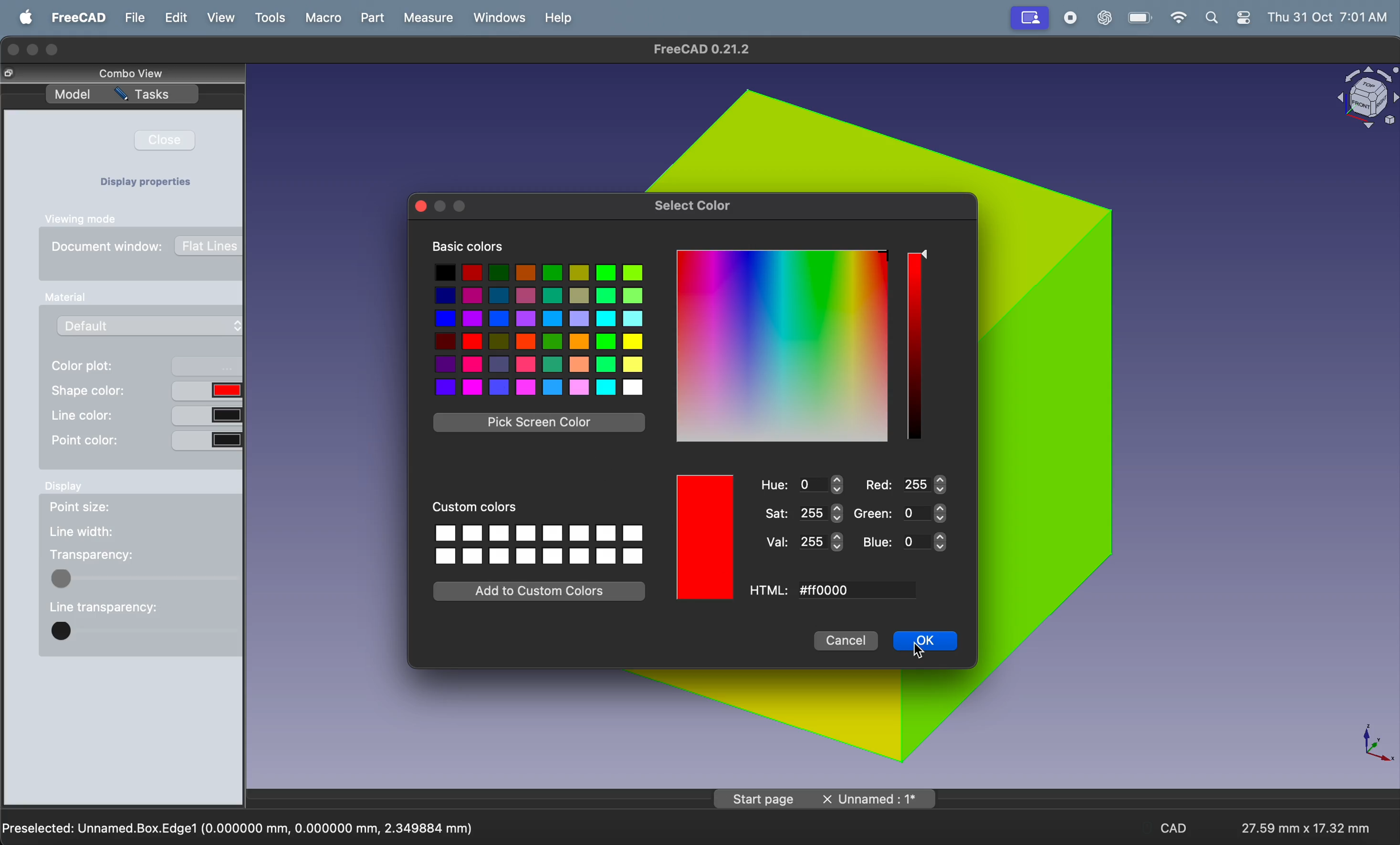  What do you see at coordinates (1136, 18) in the screenshot?
I see `battery` at bounding box center [1136, 18].